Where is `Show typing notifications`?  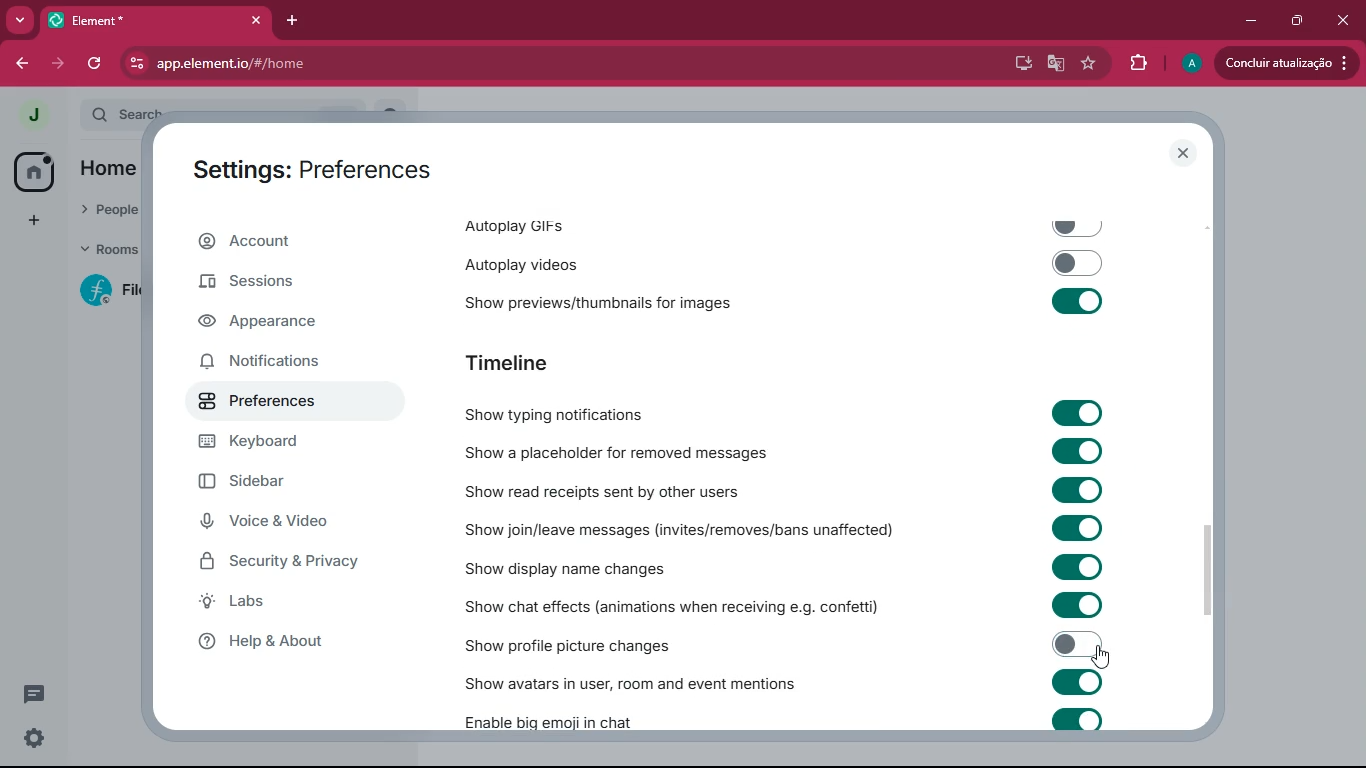
Show typing notifications is located at coordinates (784, 411).